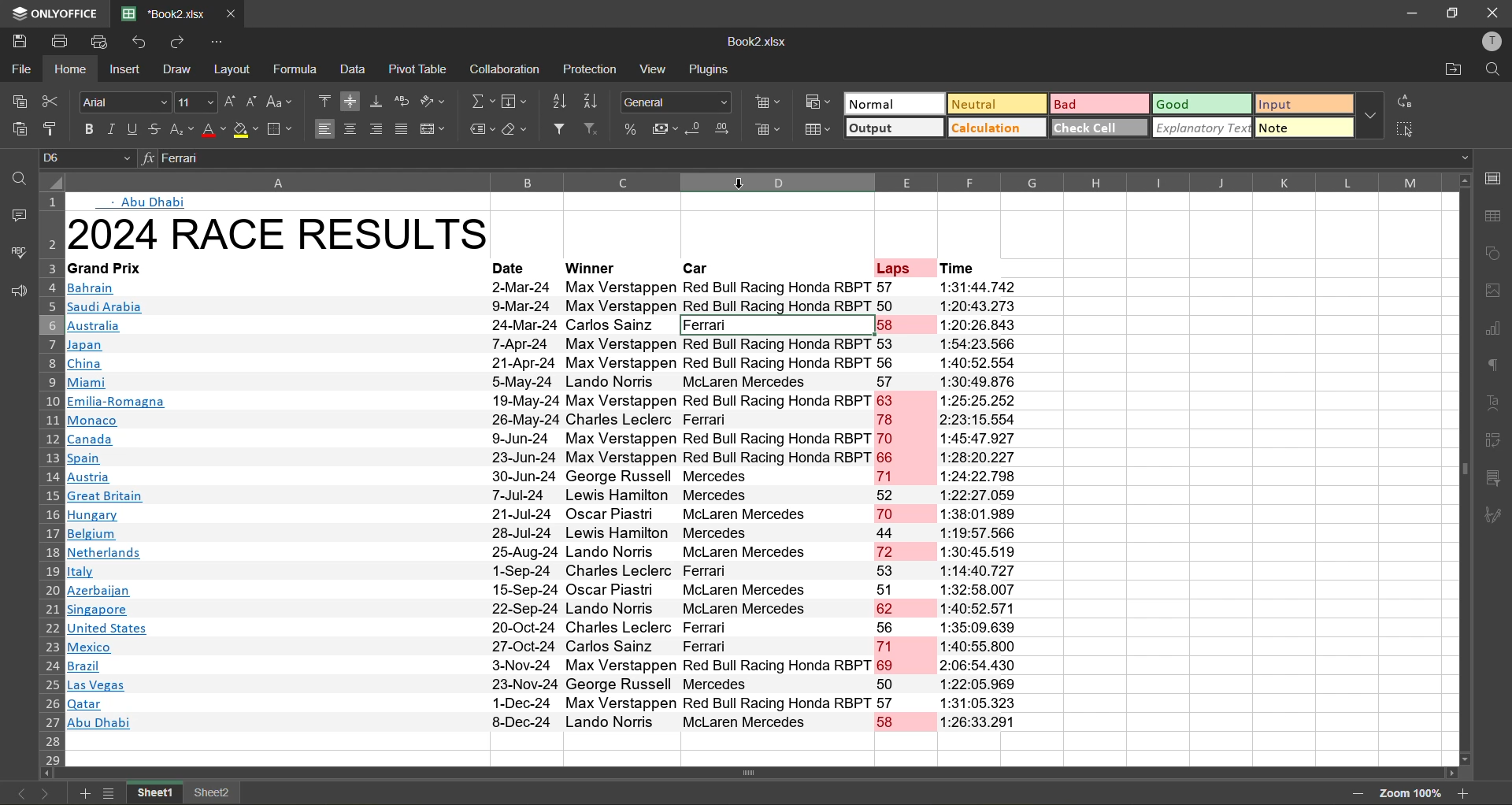  Describe the element at coordinates (85, 128) in the screenshot. I see `bold` at that location.